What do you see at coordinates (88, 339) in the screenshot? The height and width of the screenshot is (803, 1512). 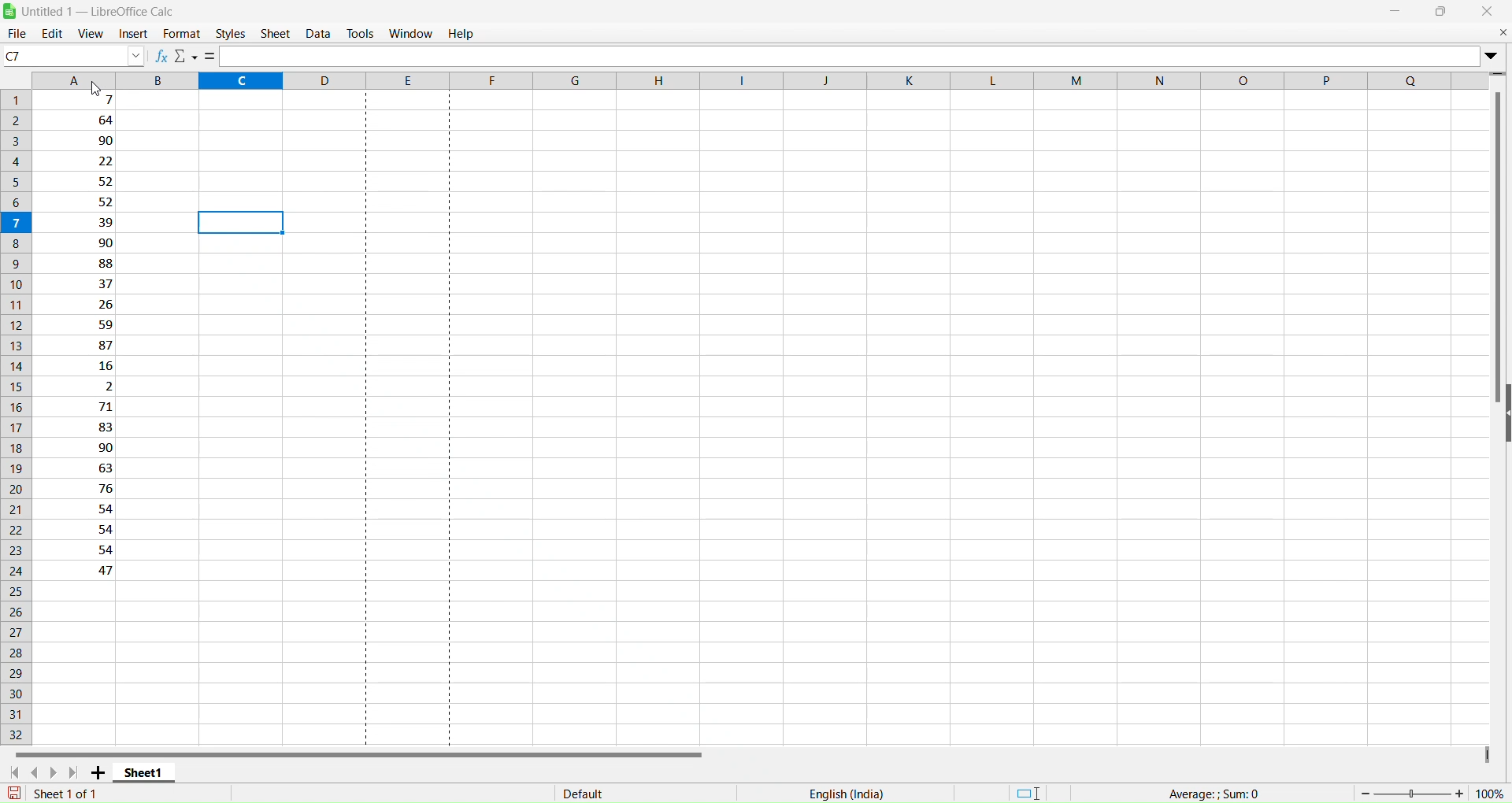 I see `Entries` at bounding box center [88, 339].